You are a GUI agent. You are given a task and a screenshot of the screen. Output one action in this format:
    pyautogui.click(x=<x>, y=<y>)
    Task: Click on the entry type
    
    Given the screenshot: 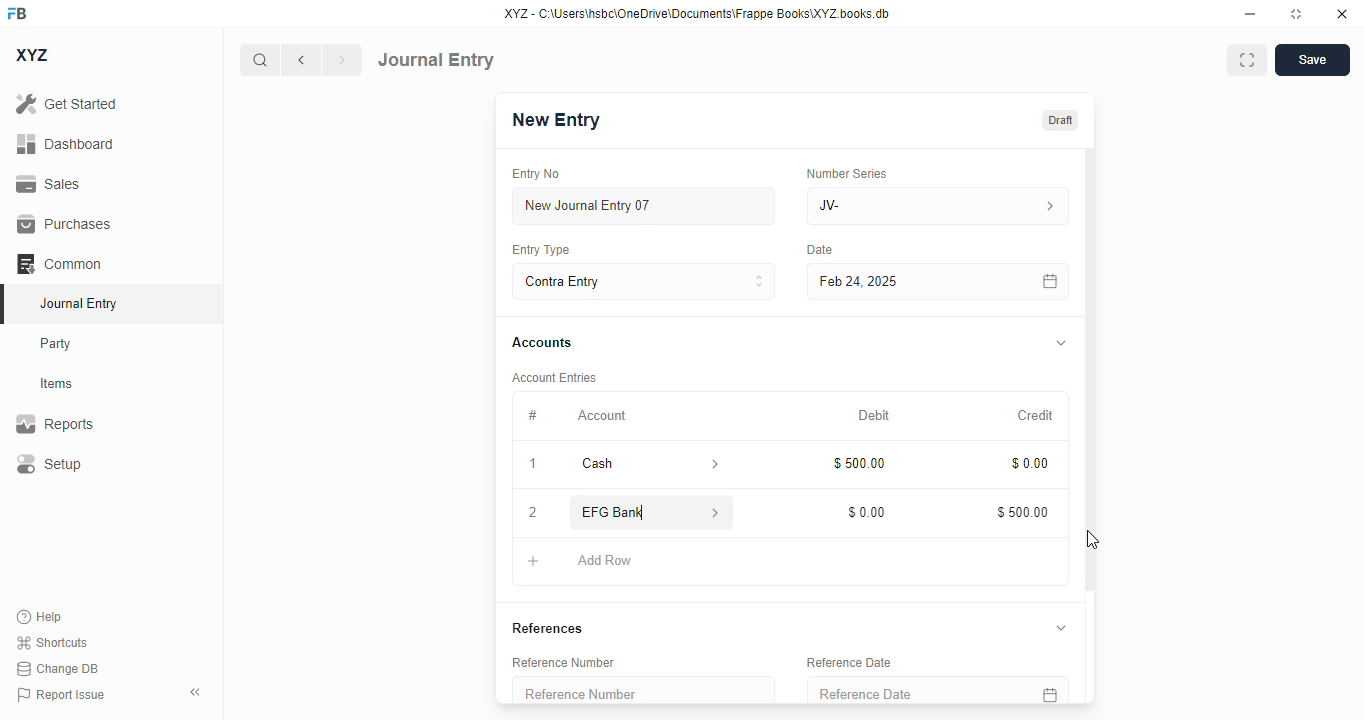 What is the action you would take?
    pyautogui.click(x=542, y=250)
    